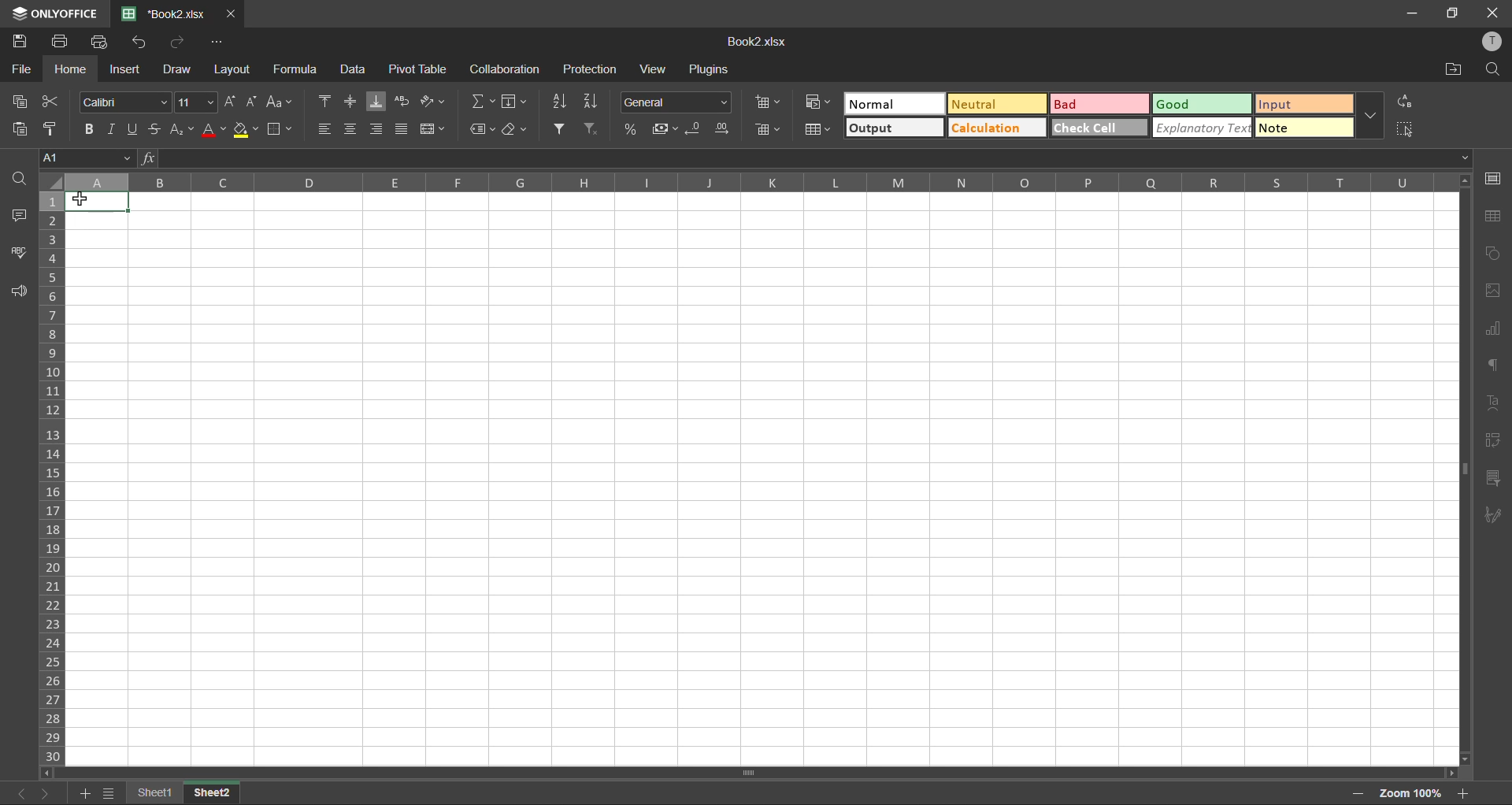 This screenshot has height=805, width=1512. Describe the element at coordinates (56, 128) in the screenshot. I see `copy style` at that location.